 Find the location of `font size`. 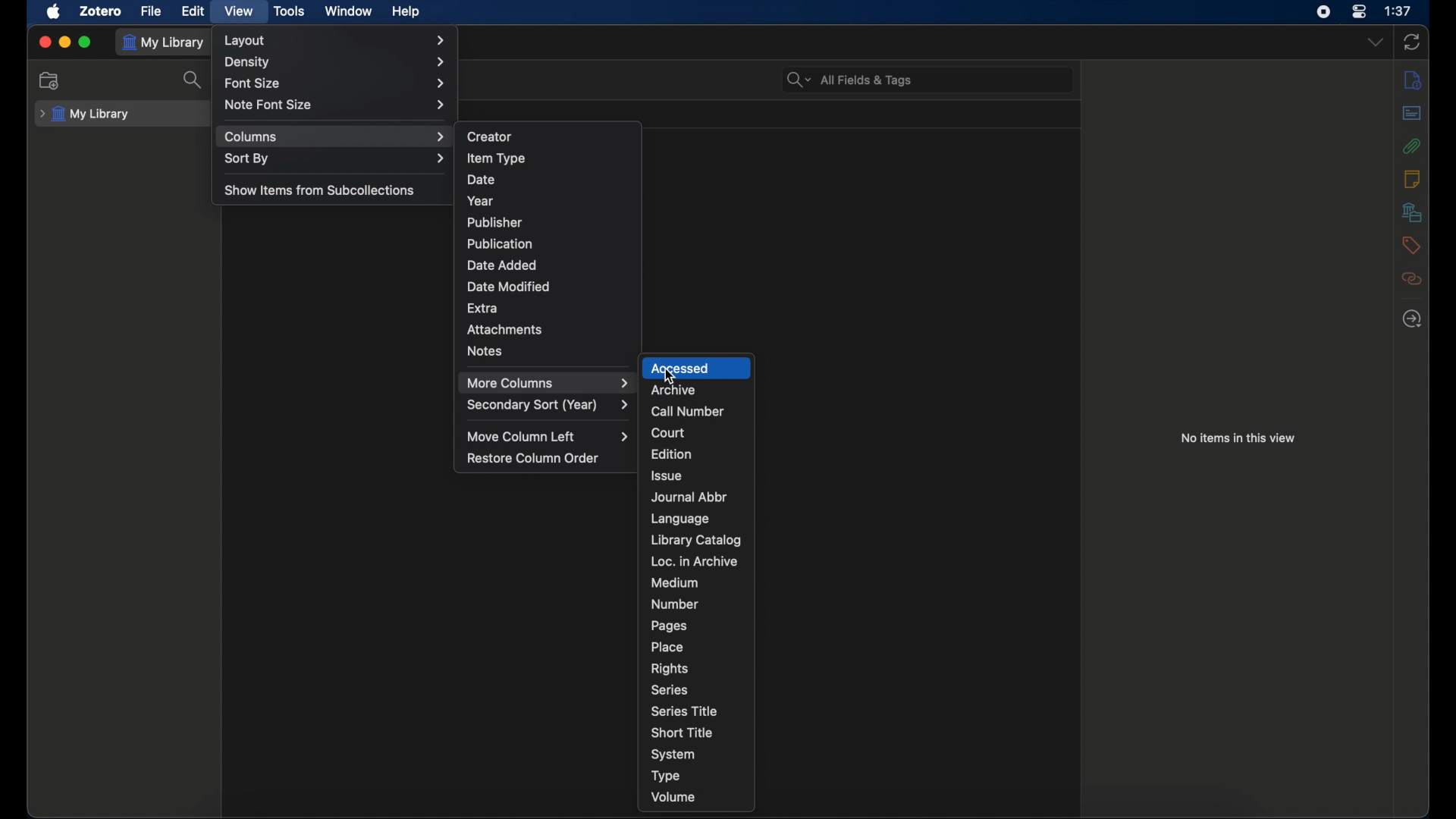

font size is located at coordinates (336, 83).